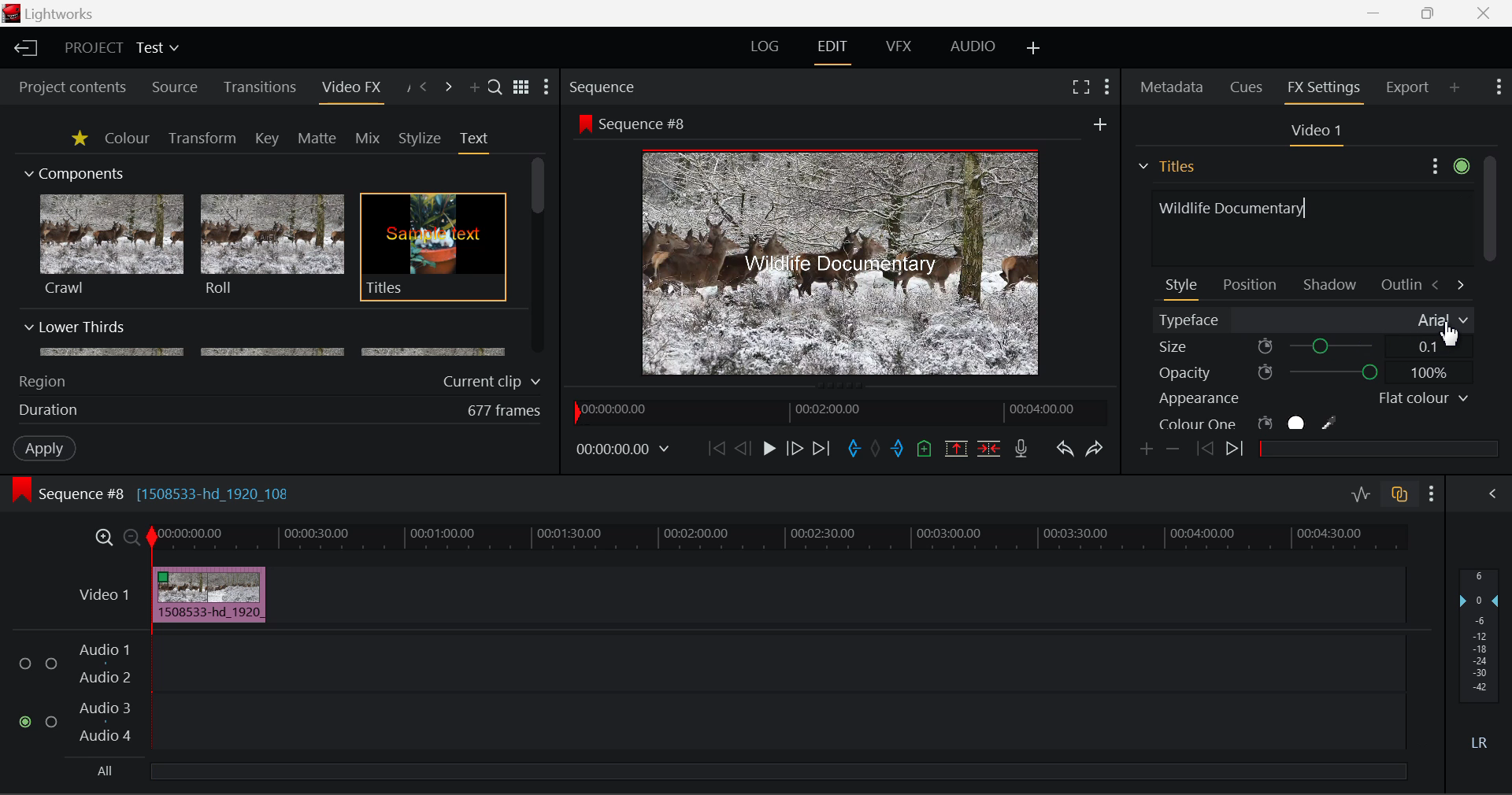 This screenshot has width=1512, height=795. Describe the element at coordinates (1065, 450) in the screenshot. I see `Undo` at that location.